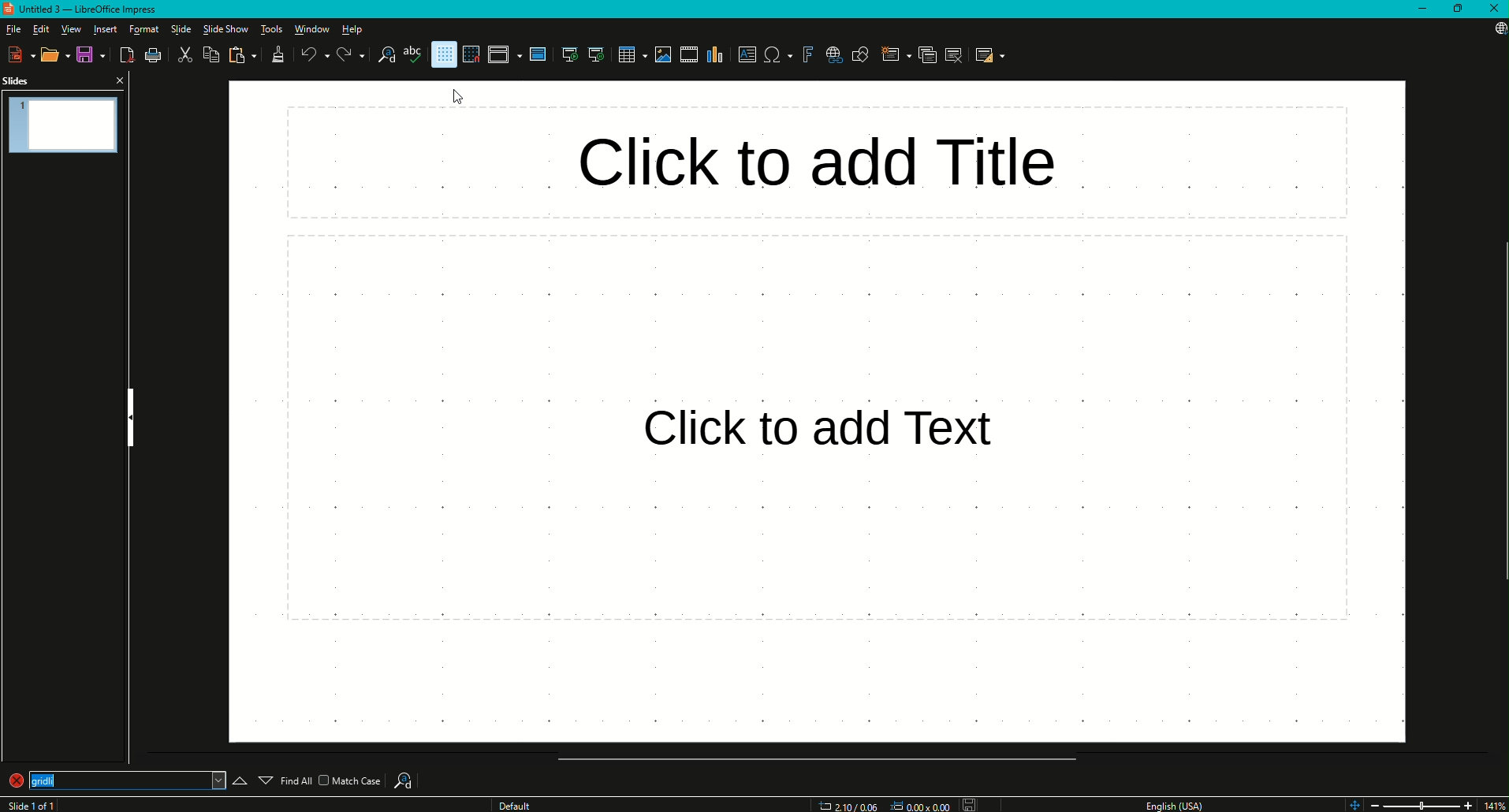 The width and height of the screenshot is (1509, 812). Describe the element at coordinates (833, 54) in the screenshot. I see `Insert hyperlink` at that location.